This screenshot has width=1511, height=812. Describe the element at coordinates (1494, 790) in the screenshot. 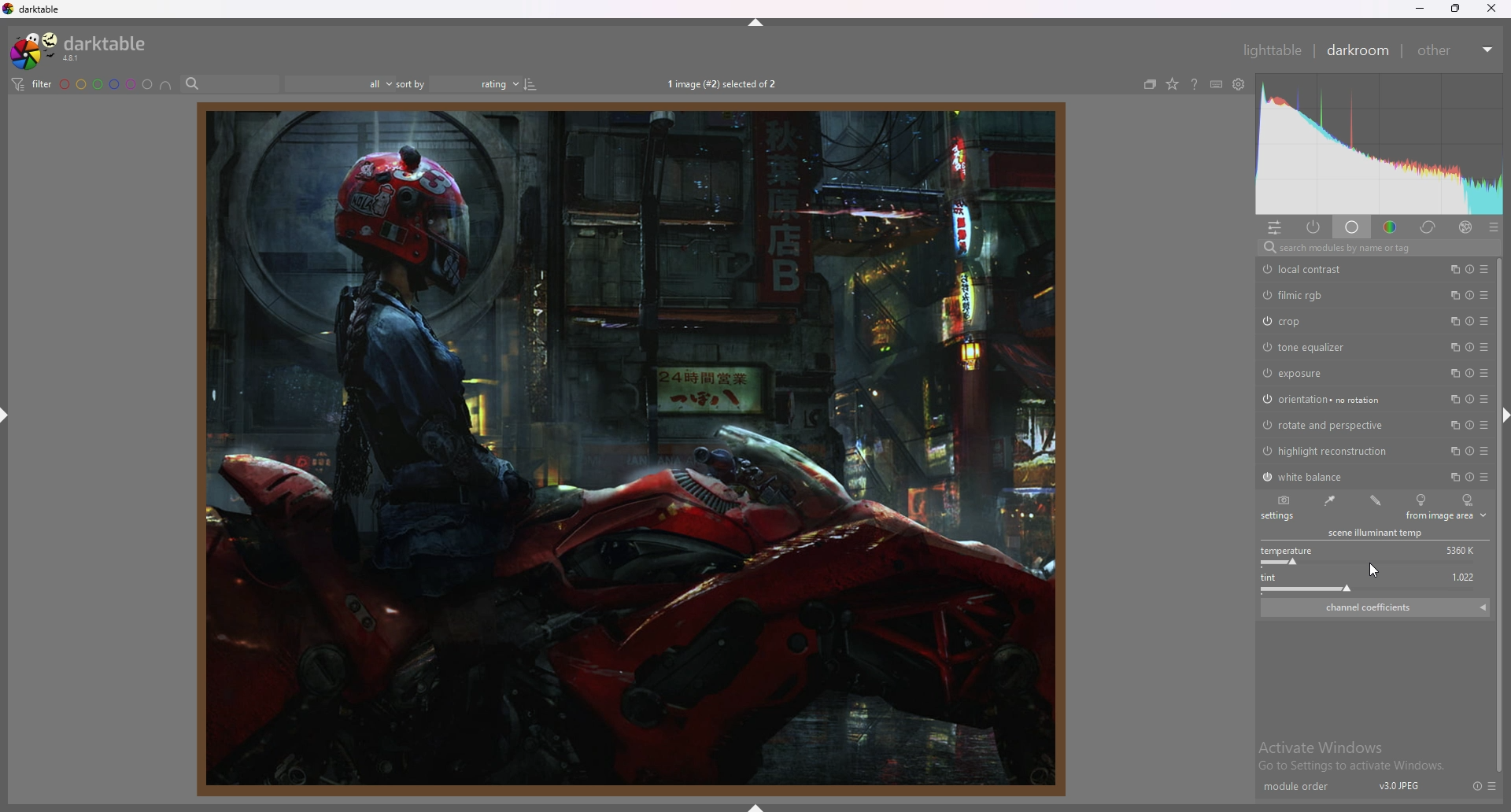

I see `presets` at that location.